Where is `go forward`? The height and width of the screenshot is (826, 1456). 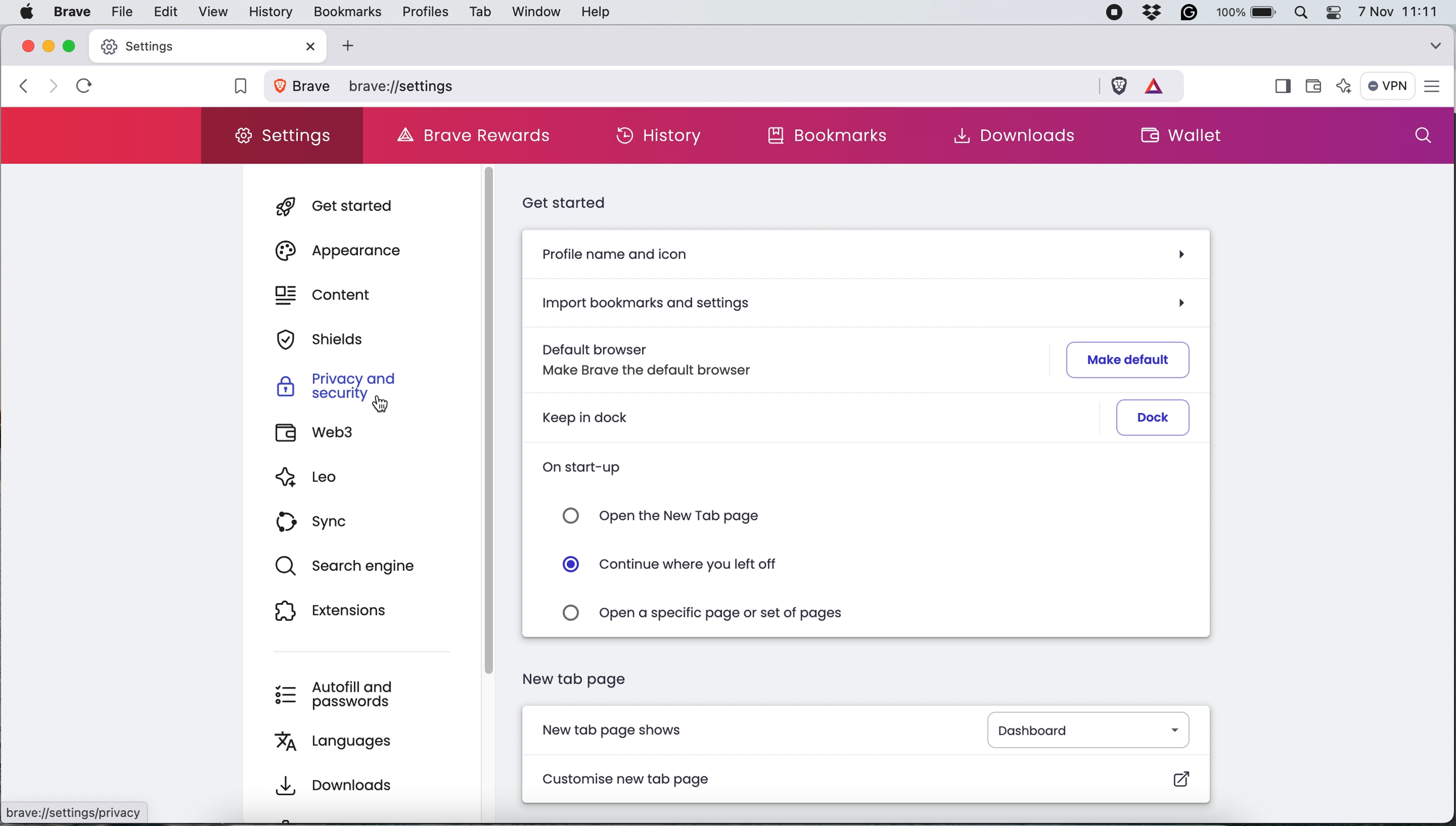 go forward is located at coordinates (49, 86).